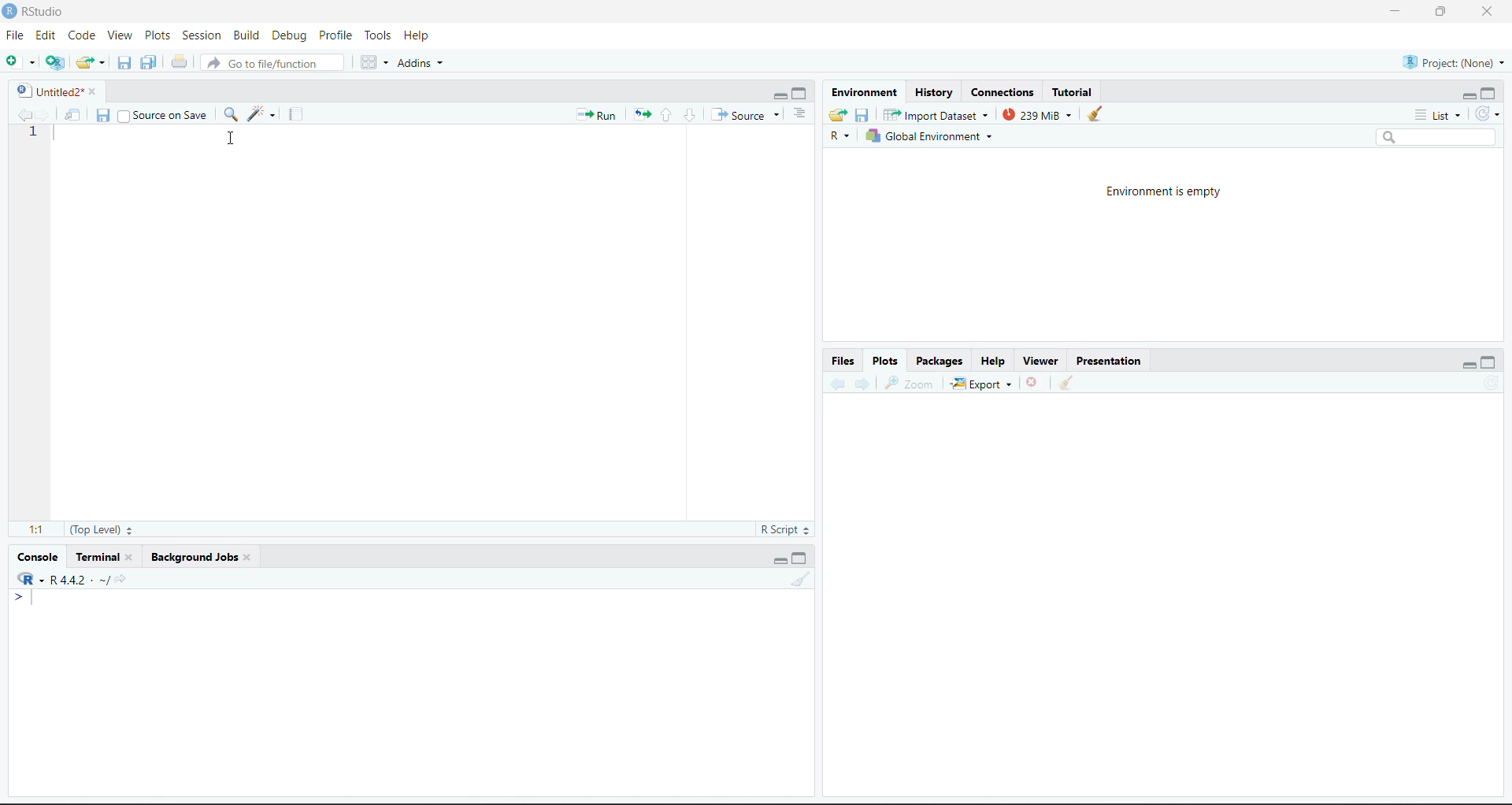  Describe the element at coordinates (81, 581) in the screenshot. I see `R.4.4.2~/` at that location.